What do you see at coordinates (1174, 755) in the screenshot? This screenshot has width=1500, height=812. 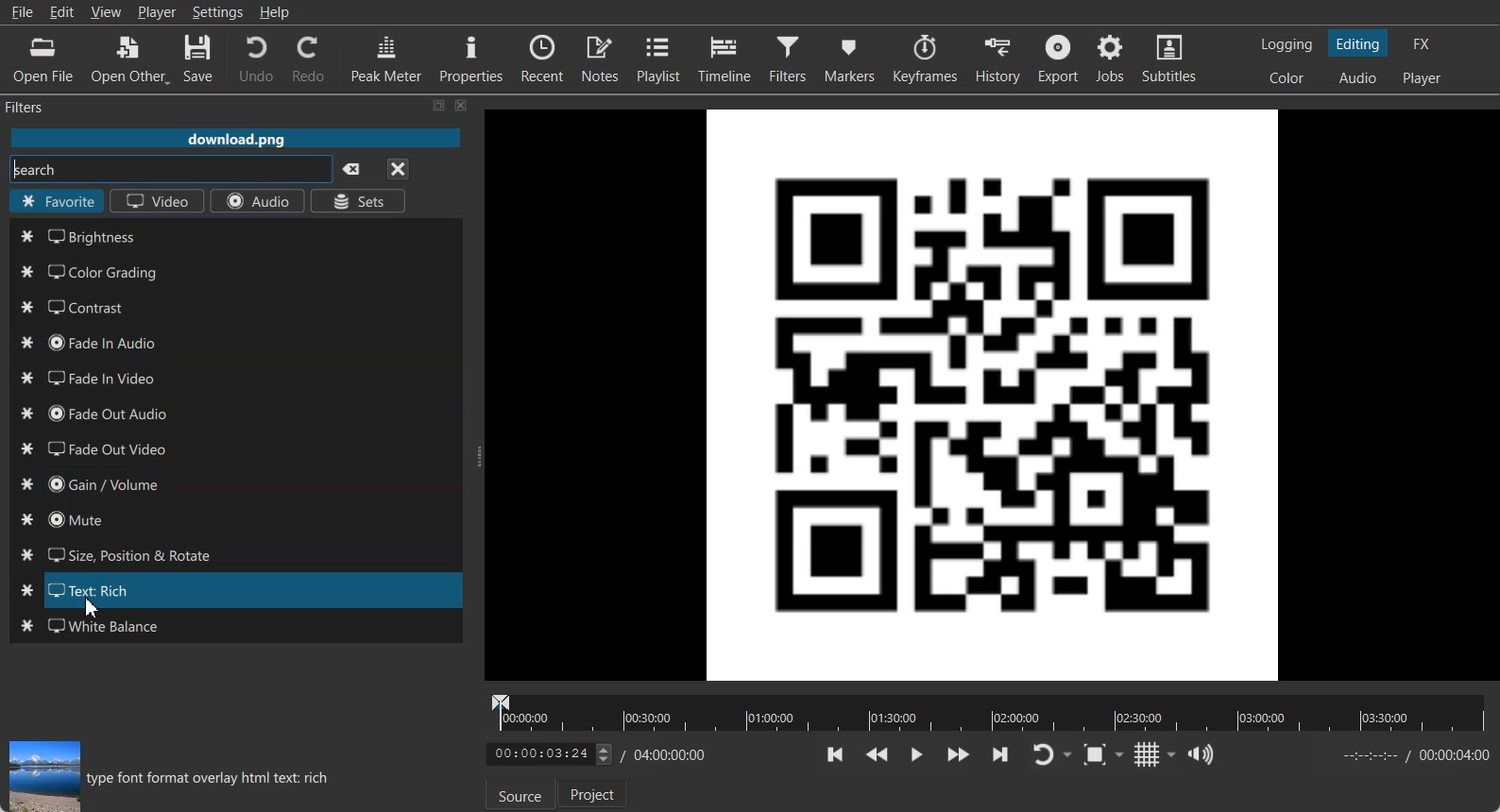 I see `Drop down box` at bounding box center [1174, 755].